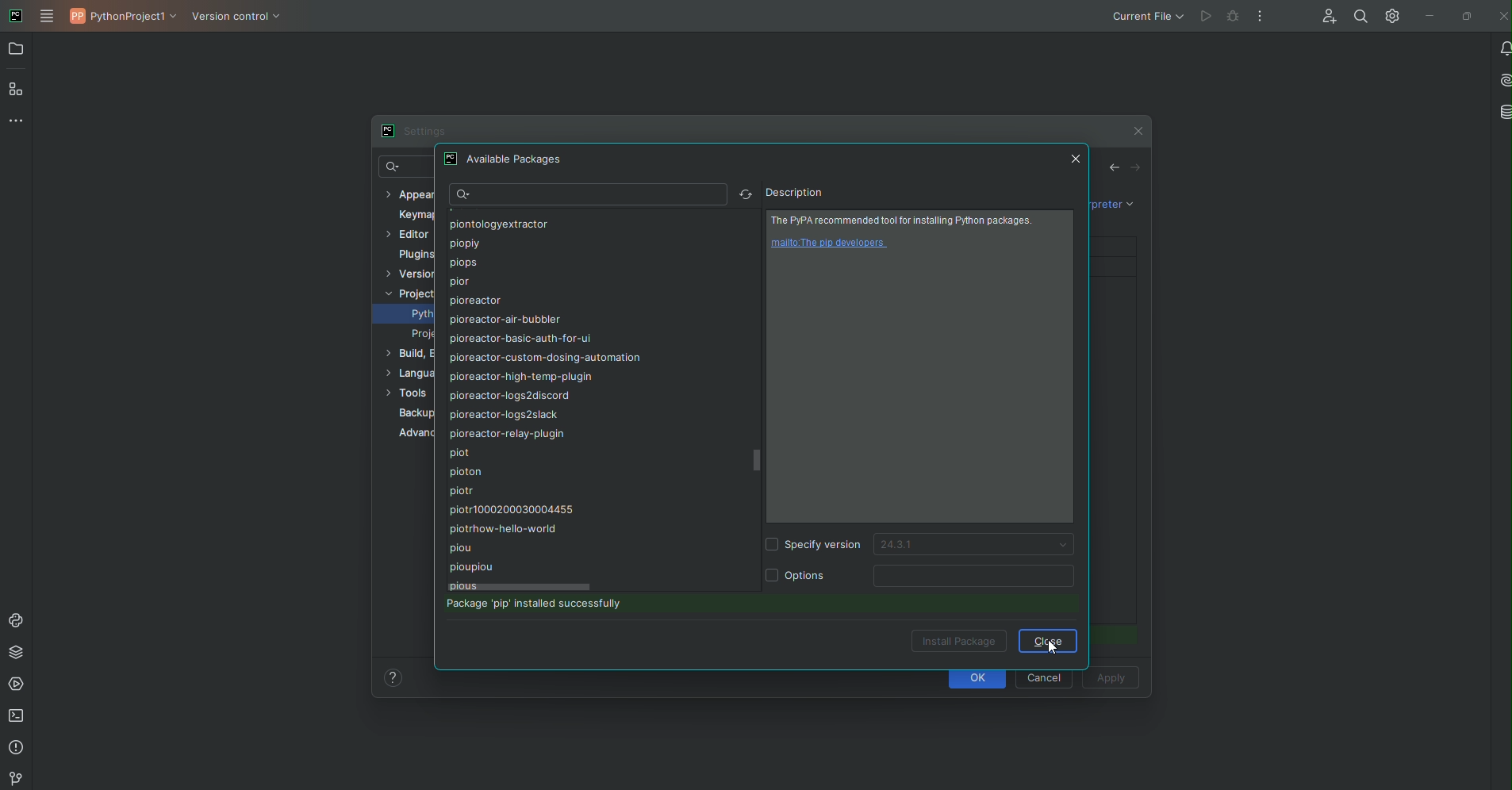  What do you see at coordinates (1136, 131) in the screenshot?
I see `Close` at bounding box center [1136, 131].